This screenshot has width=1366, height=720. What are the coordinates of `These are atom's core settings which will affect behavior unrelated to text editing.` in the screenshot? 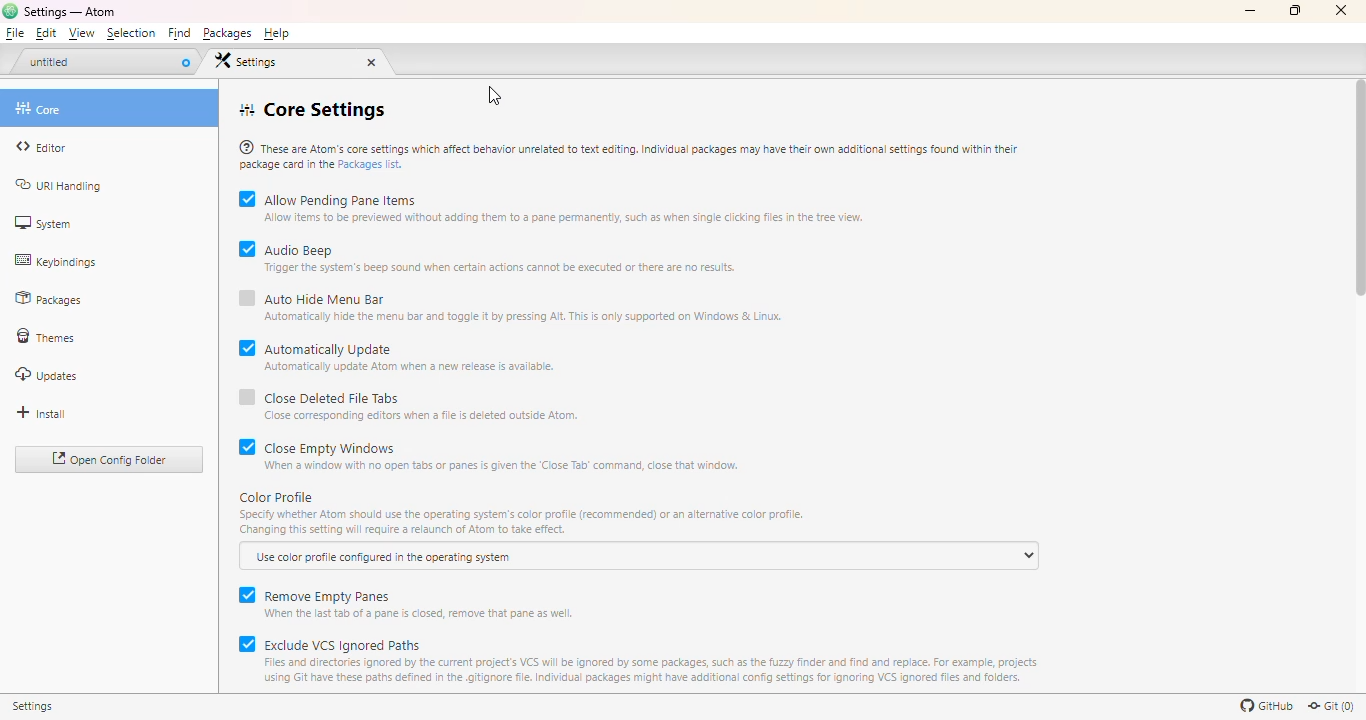 It's located at (629, 146).